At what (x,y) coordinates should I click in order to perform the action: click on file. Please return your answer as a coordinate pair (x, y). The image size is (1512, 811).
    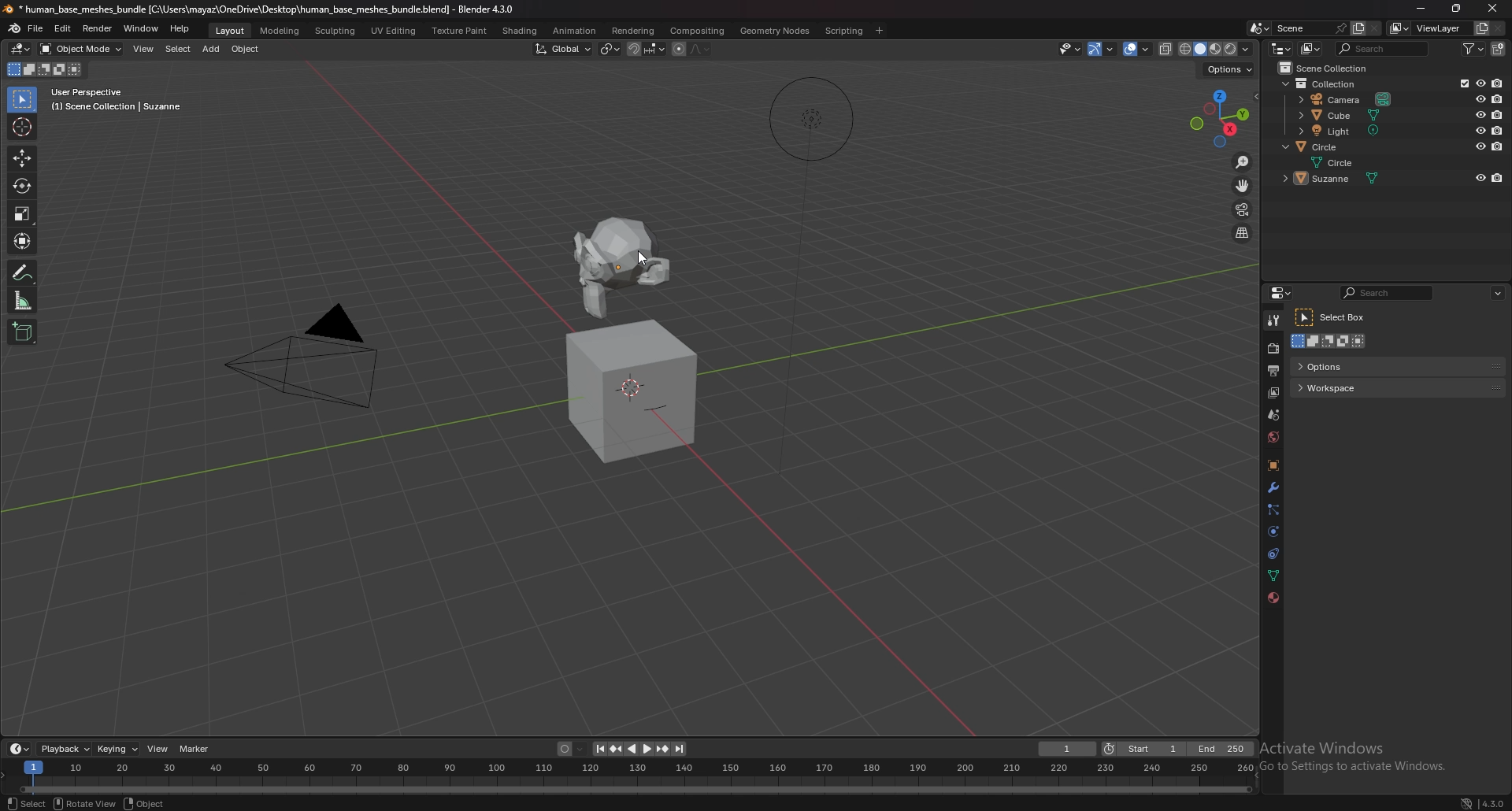
    Looking at the image, I should click on (36, 29).